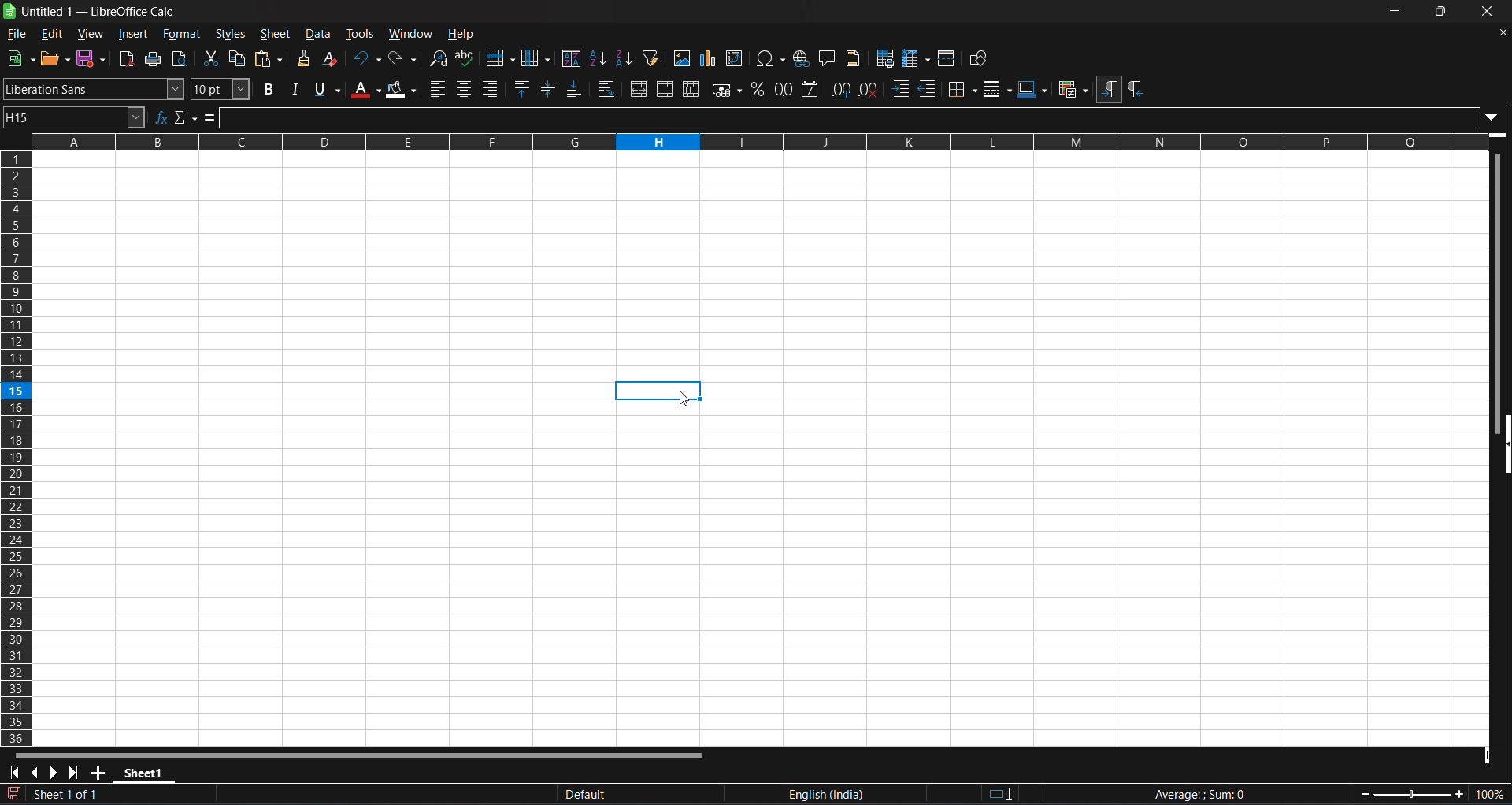 This screenshot has width=1512, height=805. Describe the element at coordinates (184, 35) in the screenshot. I see `format` at that location.